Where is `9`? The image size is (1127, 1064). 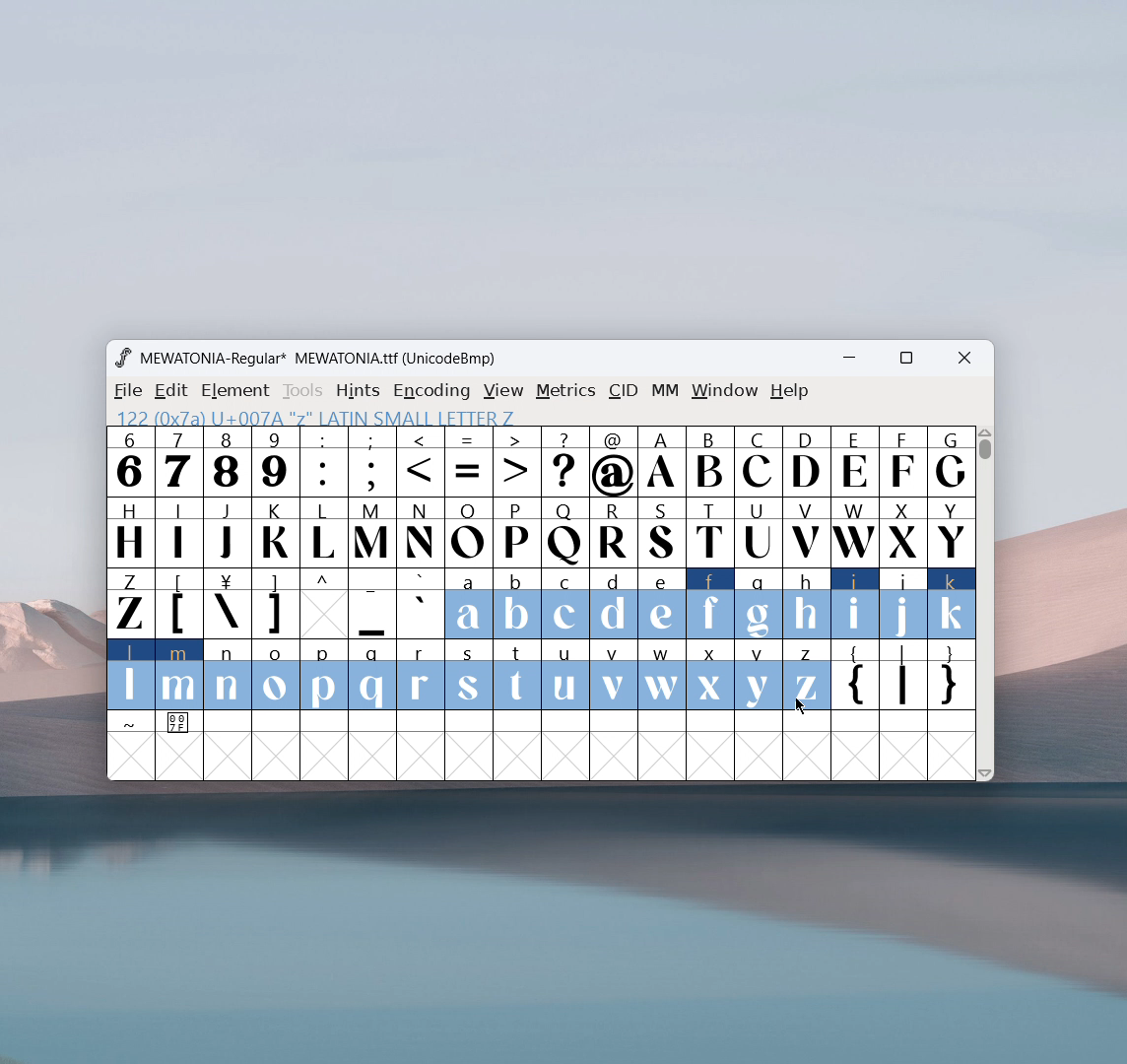
9 is located at coordinates (275, 461).